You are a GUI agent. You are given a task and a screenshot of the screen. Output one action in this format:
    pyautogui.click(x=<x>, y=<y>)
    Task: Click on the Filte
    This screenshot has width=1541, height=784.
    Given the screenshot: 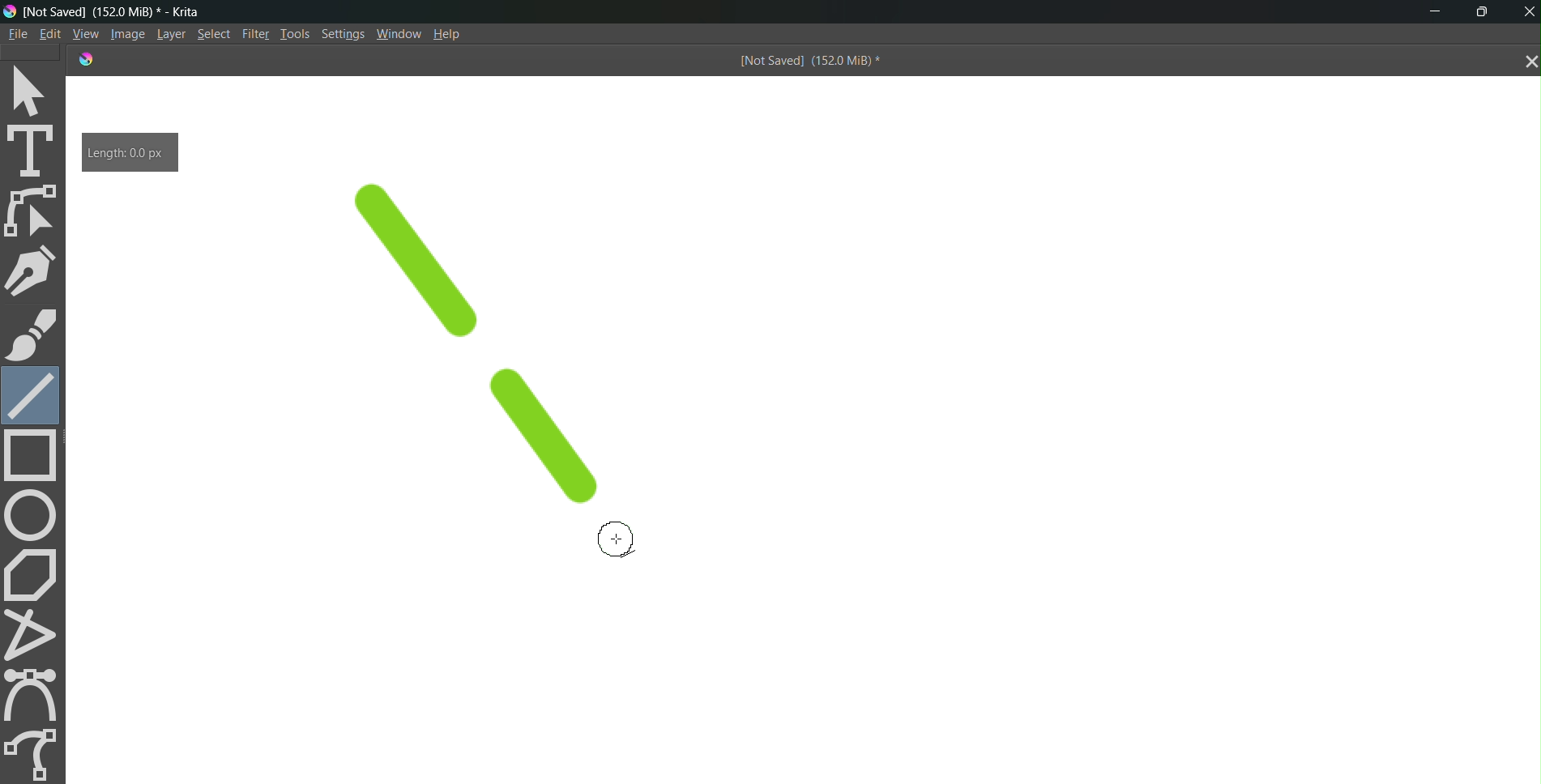 What is the action you would take?
    pyautogui.click(x=252, y=32)
    